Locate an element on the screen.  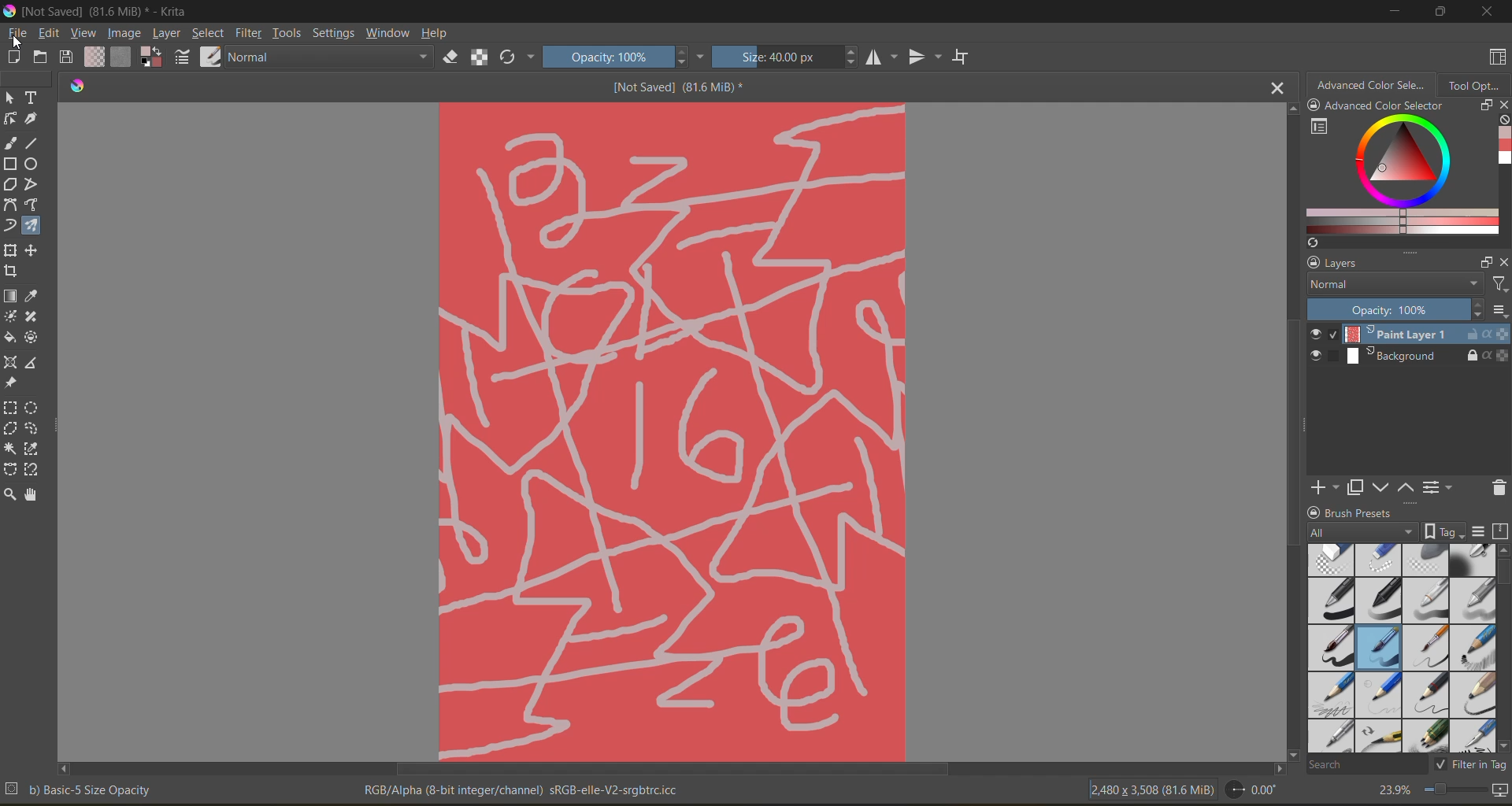
maximize is located at coordinates (1436, 11).